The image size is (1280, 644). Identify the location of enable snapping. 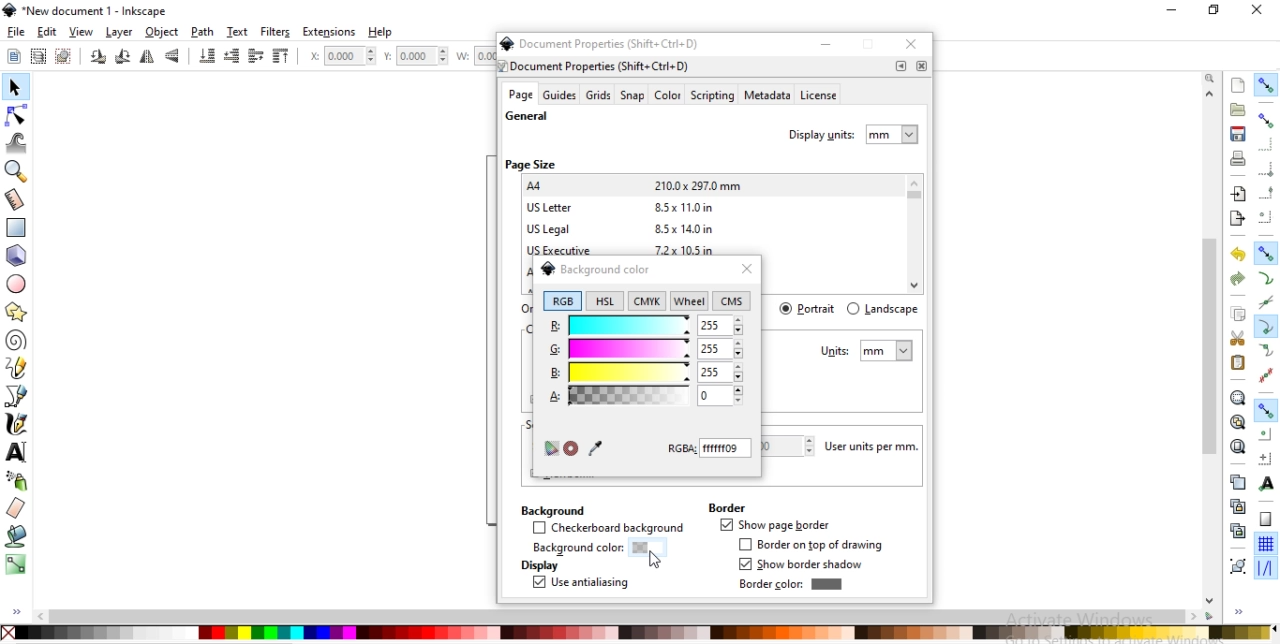
(1265, 85).